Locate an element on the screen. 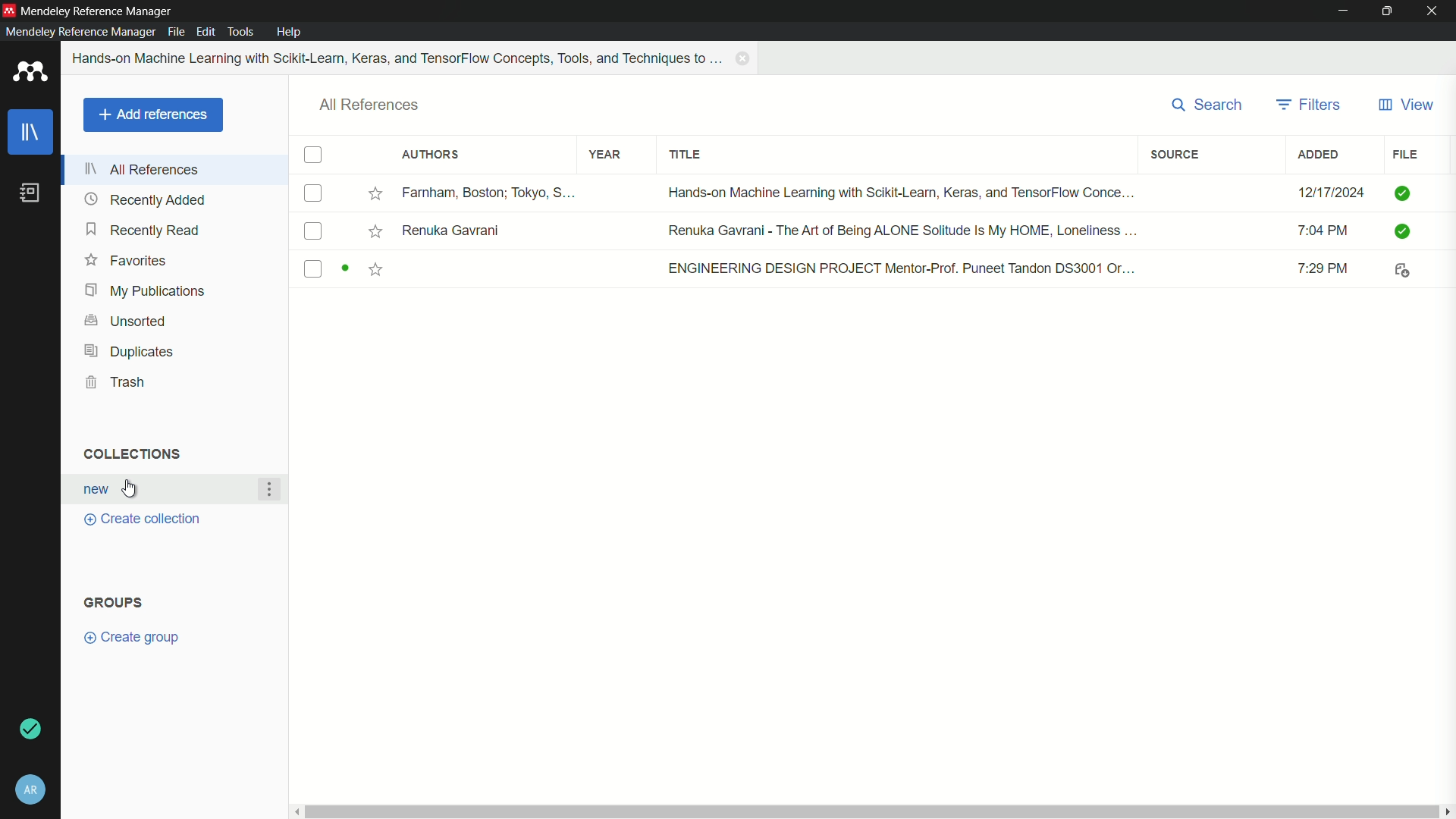  collections is located at coordinates (130, 453).